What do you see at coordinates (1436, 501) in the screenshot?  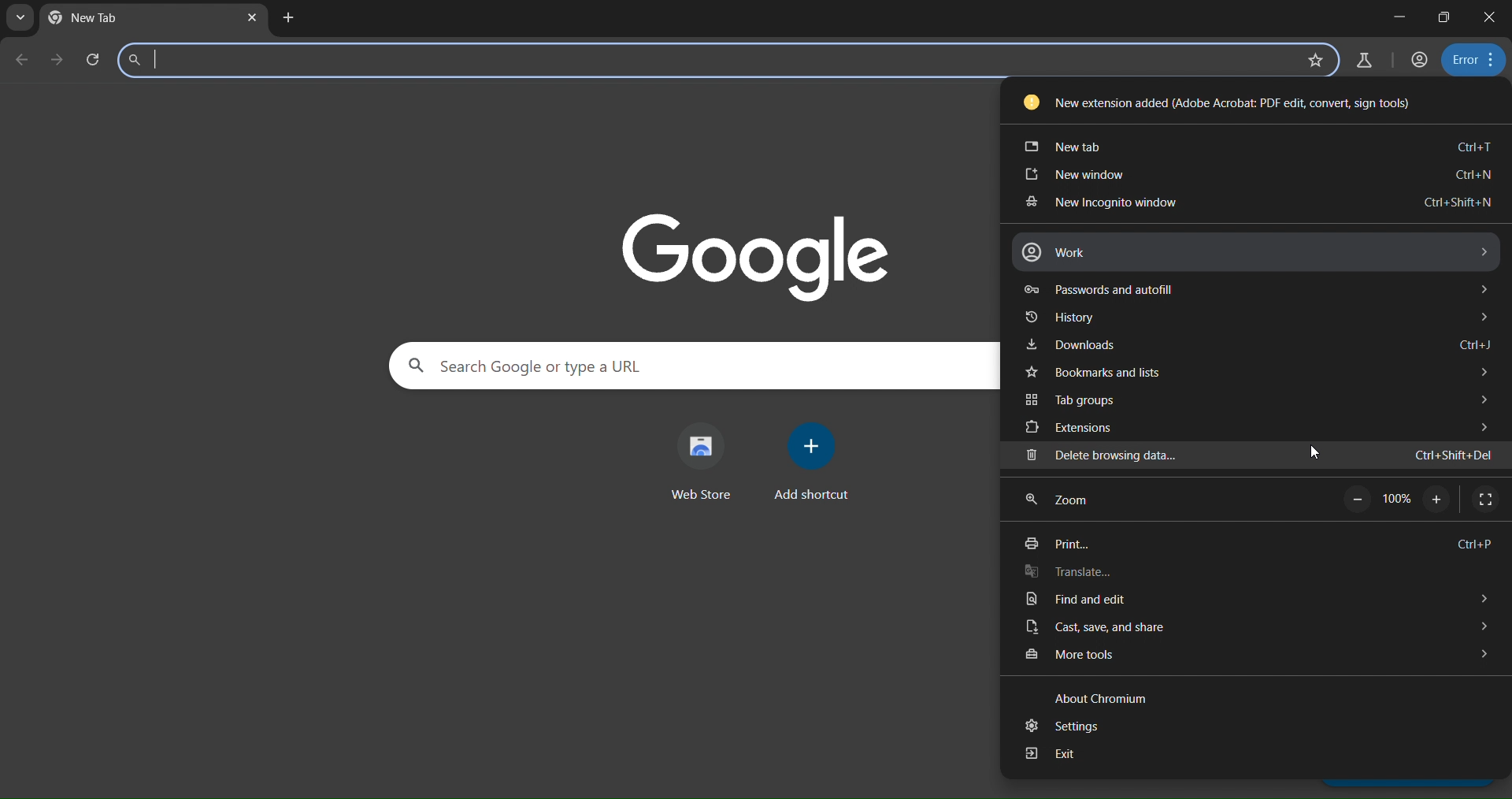 I see `zoom in` at bounding box center [1436, 501].